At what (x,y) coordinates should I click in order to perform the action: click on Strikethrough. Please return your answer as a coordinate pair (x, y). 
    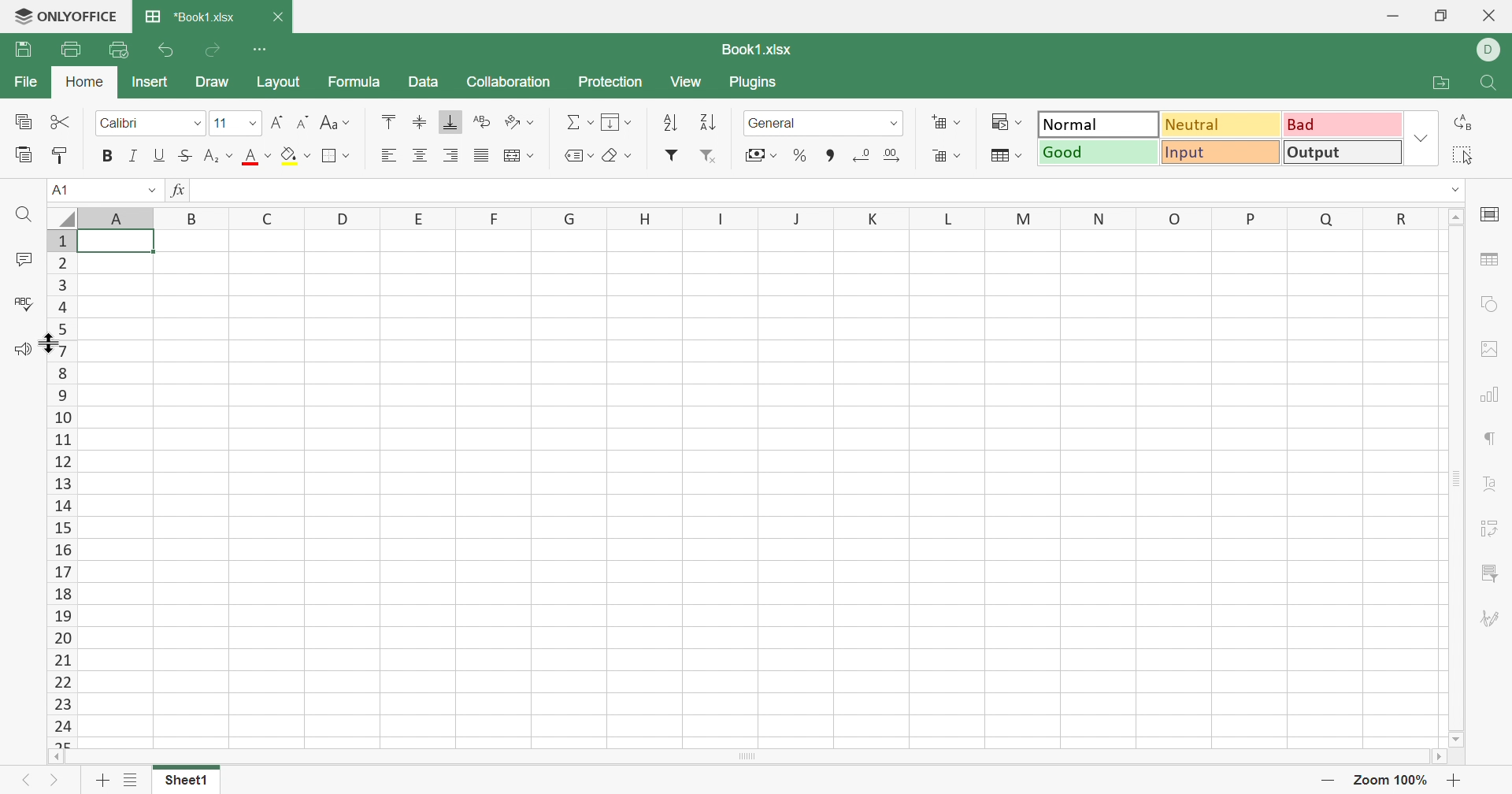
    Looking at the image, I should click on (187, 157).